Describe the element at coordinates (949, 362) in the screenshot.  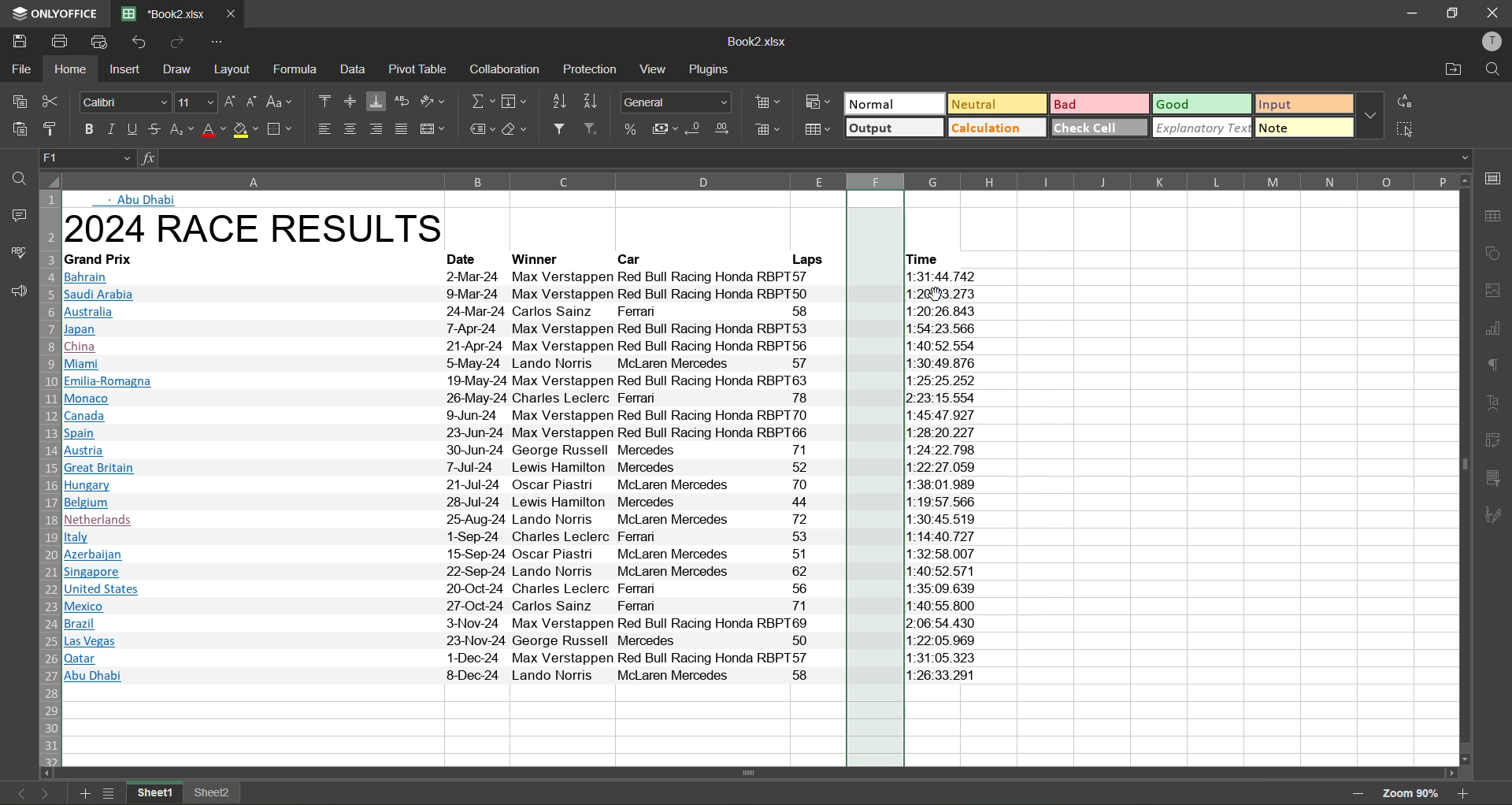
I see `11-30-49 876` at that location.